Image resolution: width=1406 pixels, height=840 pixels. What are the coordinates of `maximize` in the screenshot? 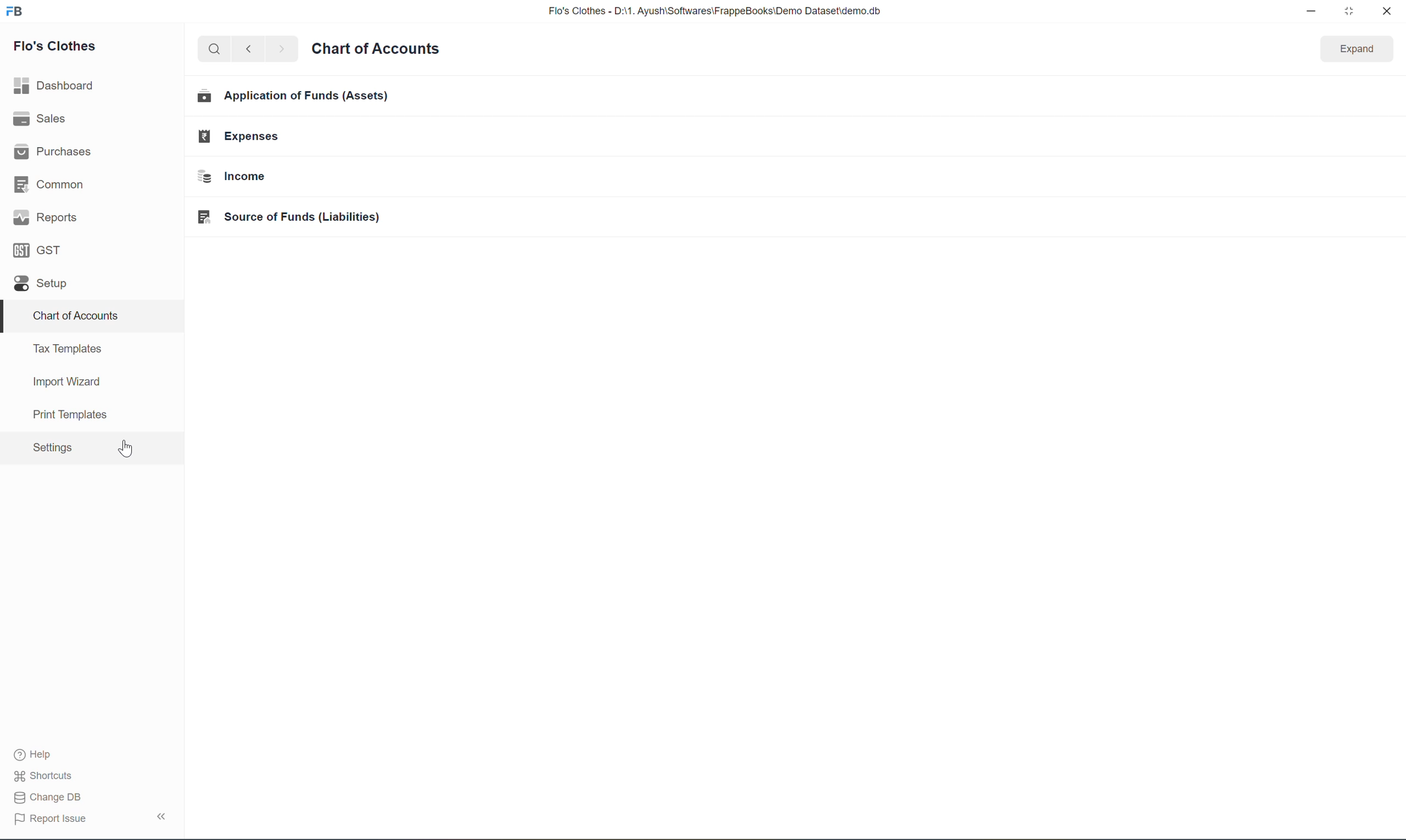 It's located at (1349, 10).